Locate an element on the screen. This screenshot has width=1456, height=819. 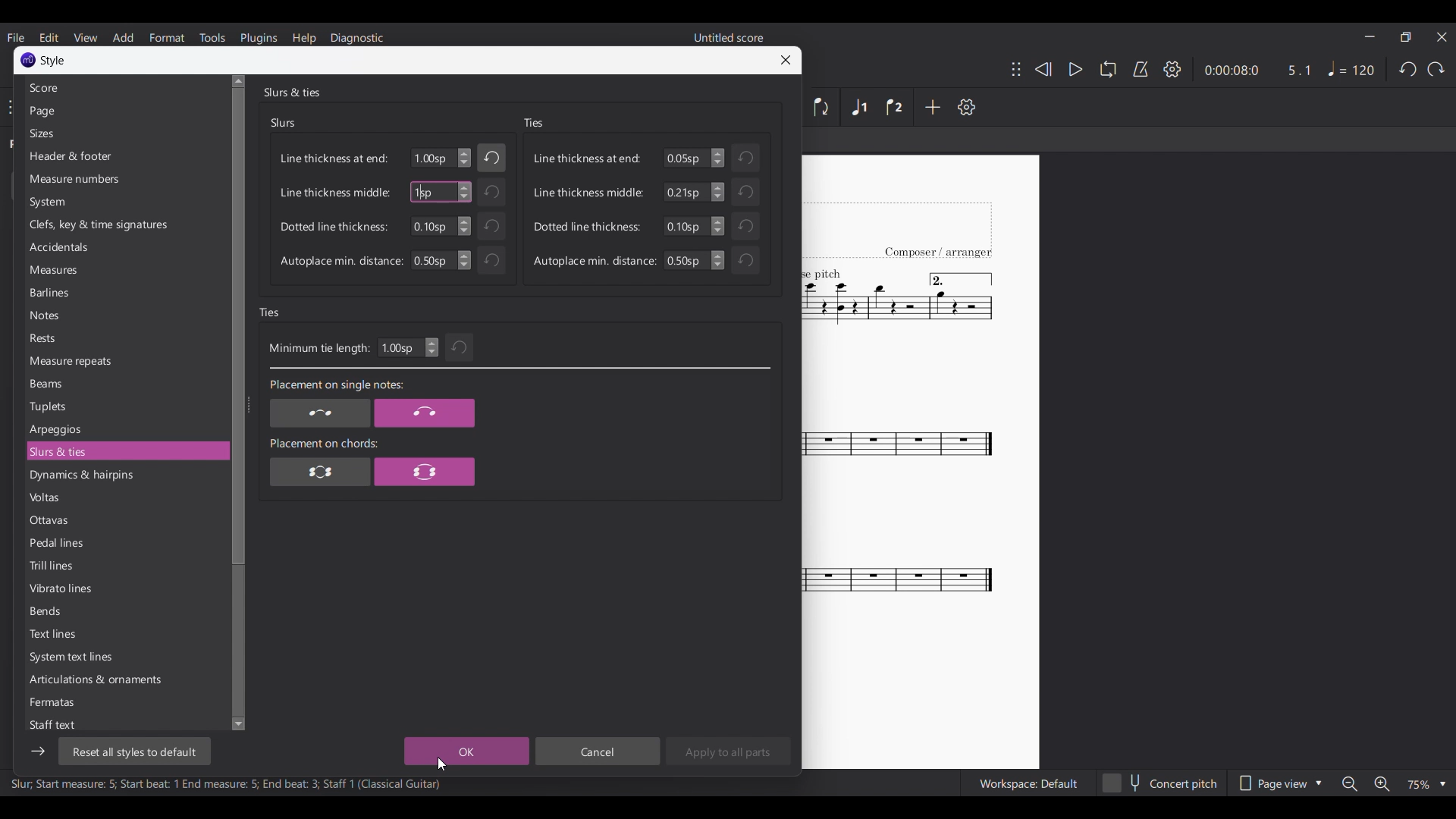
Input line thickness middle is located at coordinates (686, 192).